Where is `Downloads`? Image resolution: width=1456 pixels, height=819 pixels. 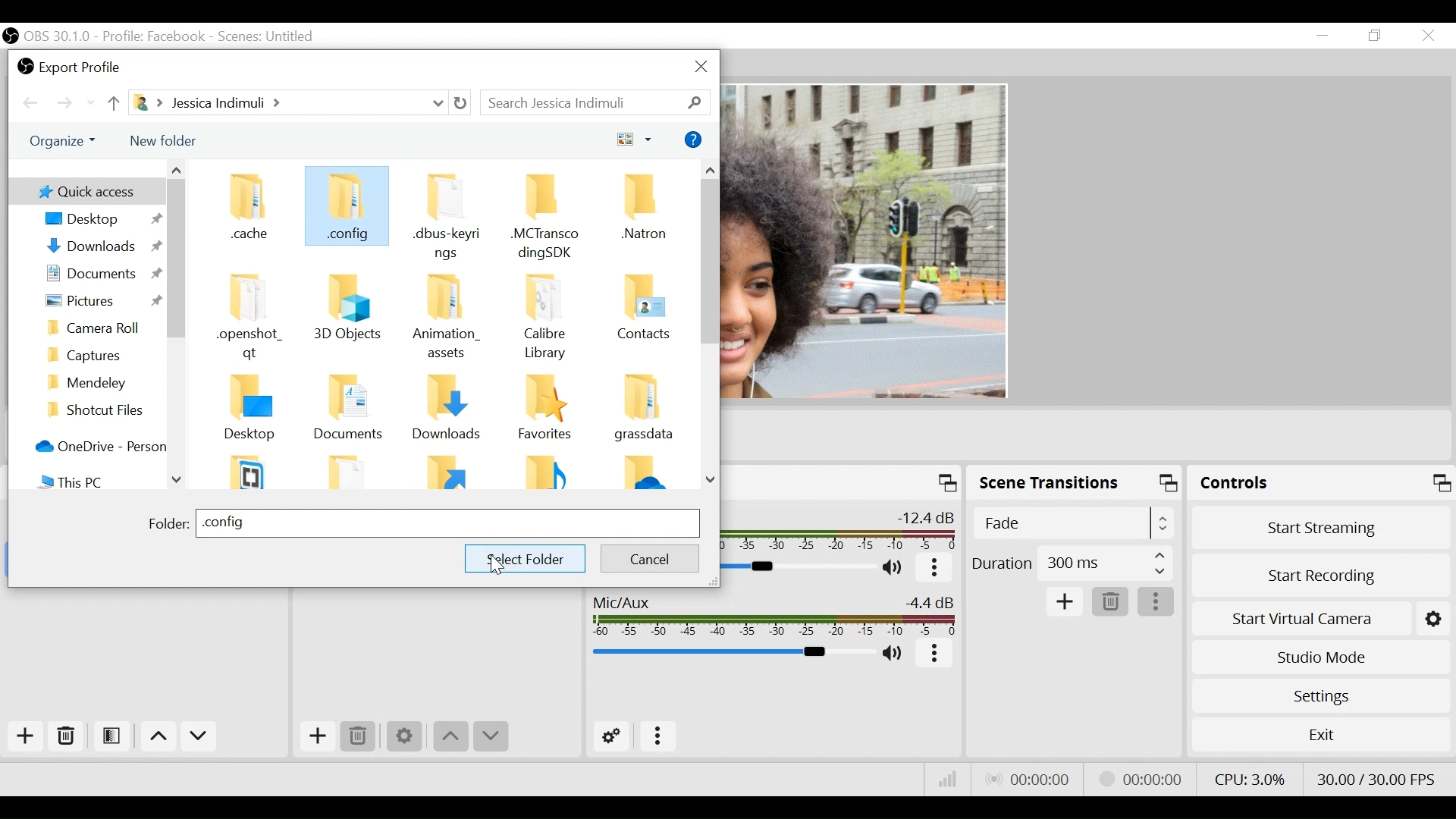
Downloads is located at coordinates (99, 246).